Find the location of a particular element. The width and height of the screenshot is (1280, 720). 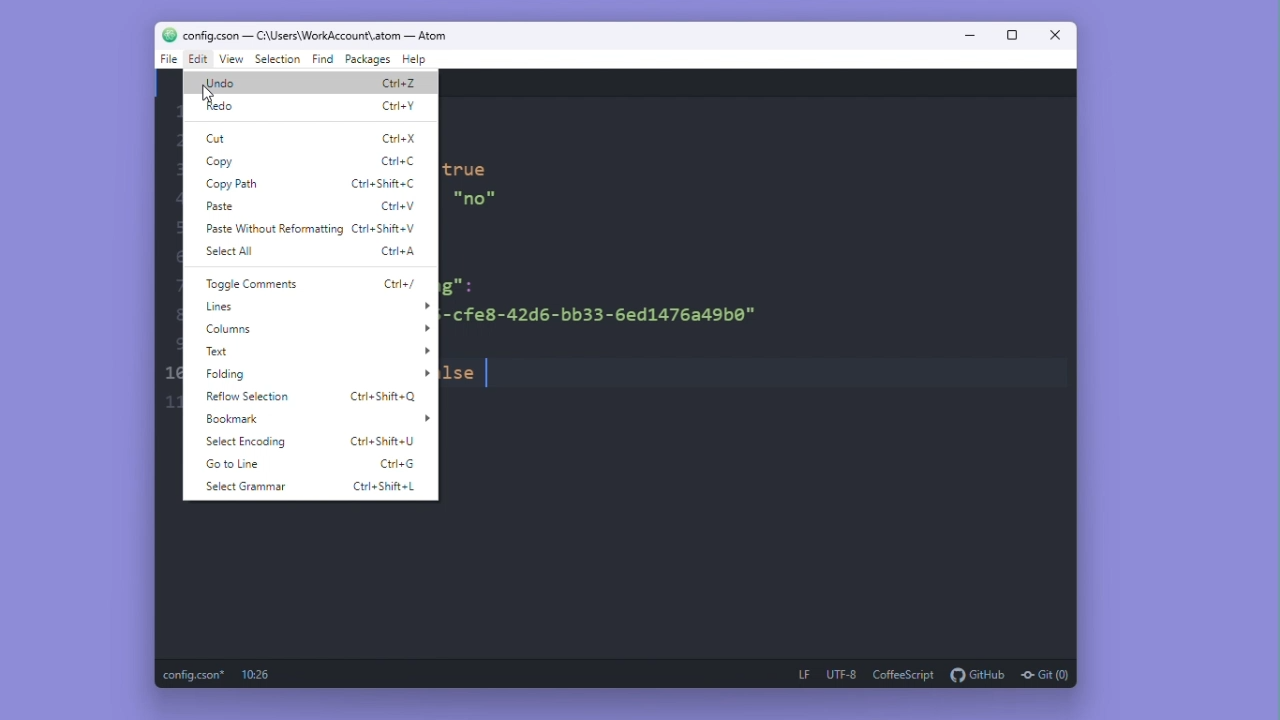

UTF-8 is located at coordinates (841, 675).